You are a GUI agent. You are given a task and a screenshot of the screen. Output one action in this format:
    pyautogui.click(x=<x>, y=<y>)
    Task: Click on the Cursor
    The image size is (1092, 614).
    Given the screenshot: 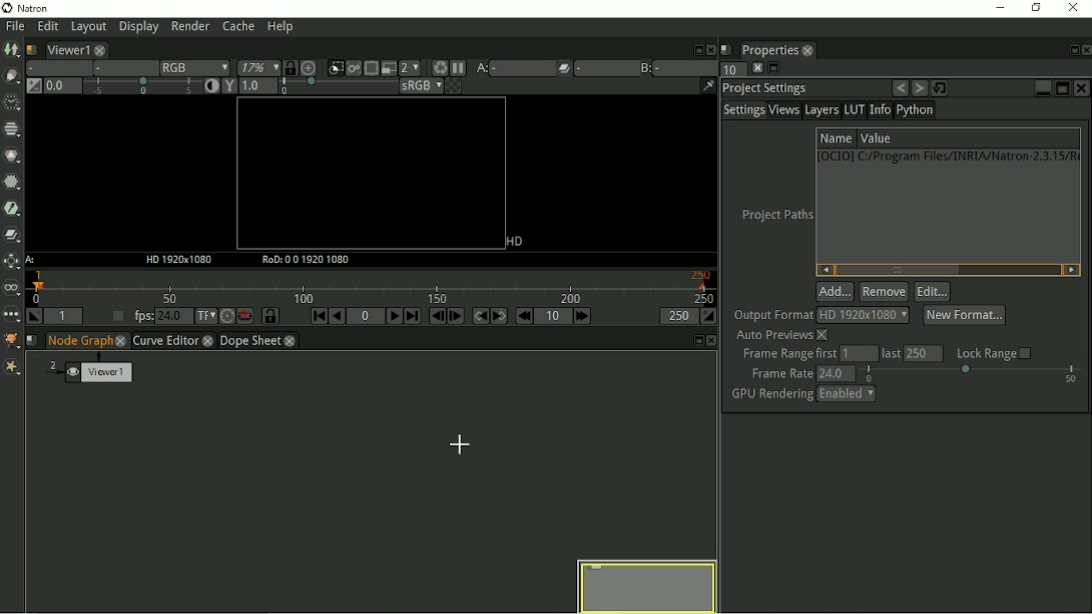 What is the action you would take?
    pyautogui.click(x=461, y=443)
    